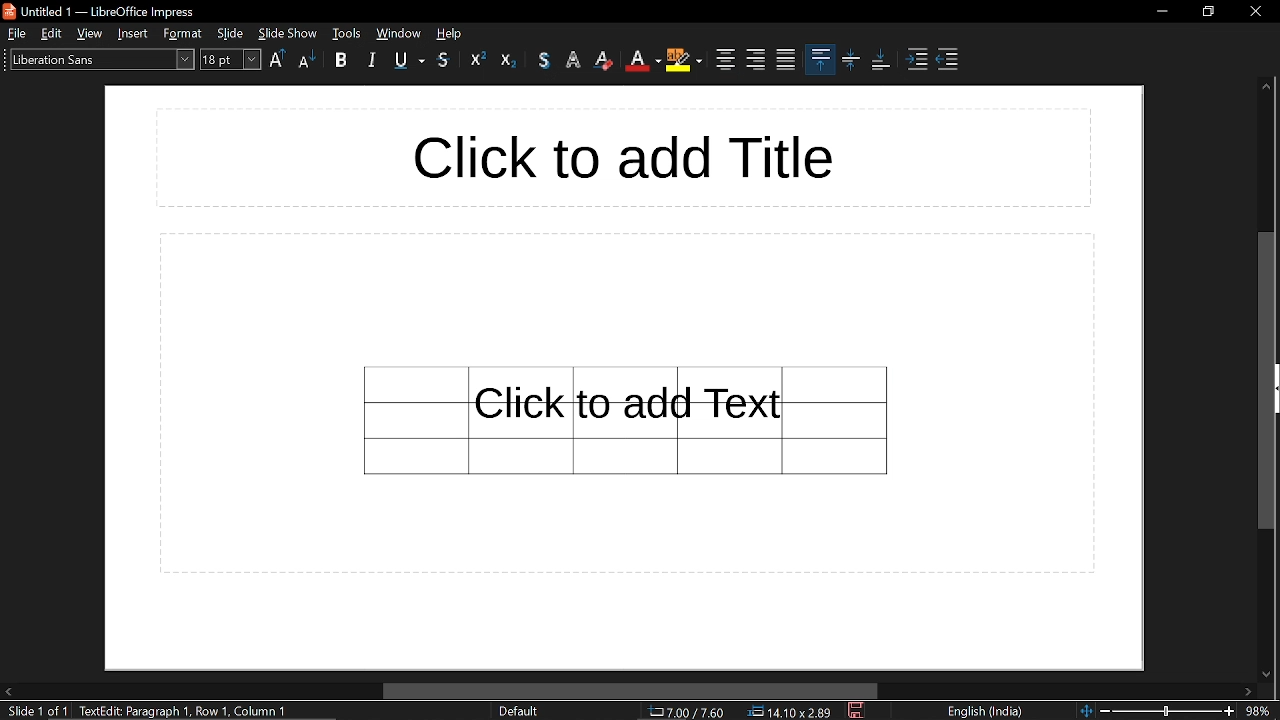 This screenshot has height=720, width=1280. I want to click on lower case, so click(307, 61).